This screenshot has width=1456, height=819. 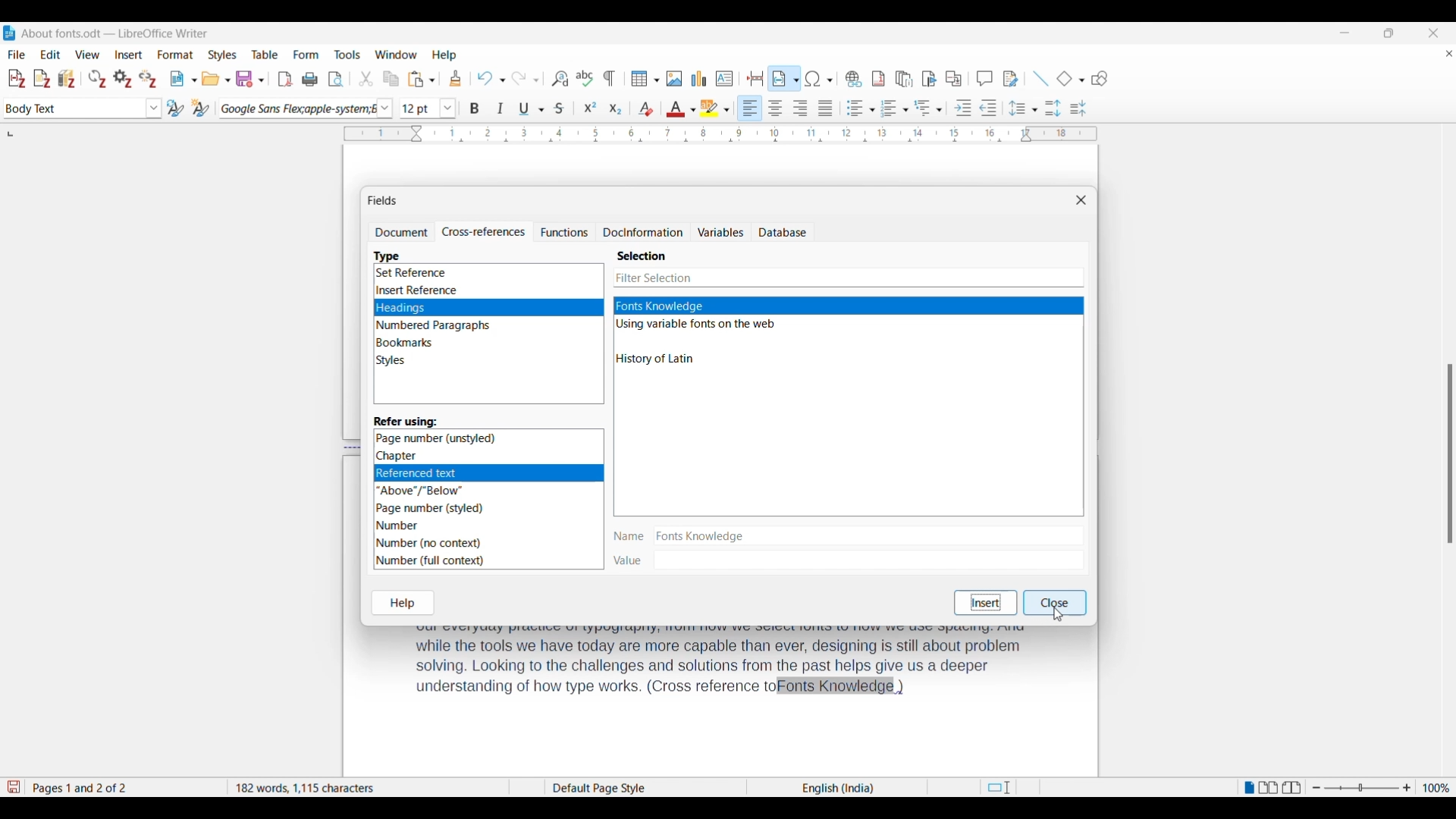 What do you see at coordinates (1361, 789) in the screenshot?
I see `Change zoom slider` at bounding box center [1361, 789].